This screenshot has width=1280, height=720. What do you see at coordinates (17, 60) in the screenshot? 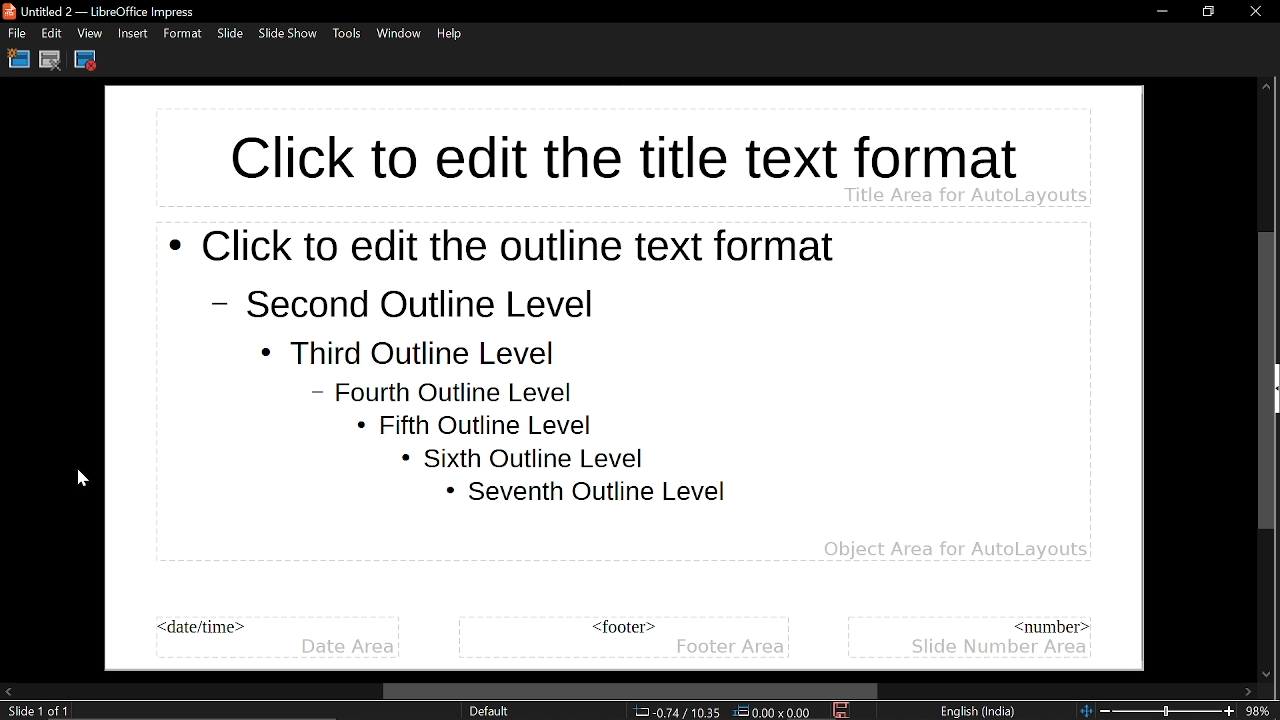
I see `New Master` at bounding box center [17, 60].